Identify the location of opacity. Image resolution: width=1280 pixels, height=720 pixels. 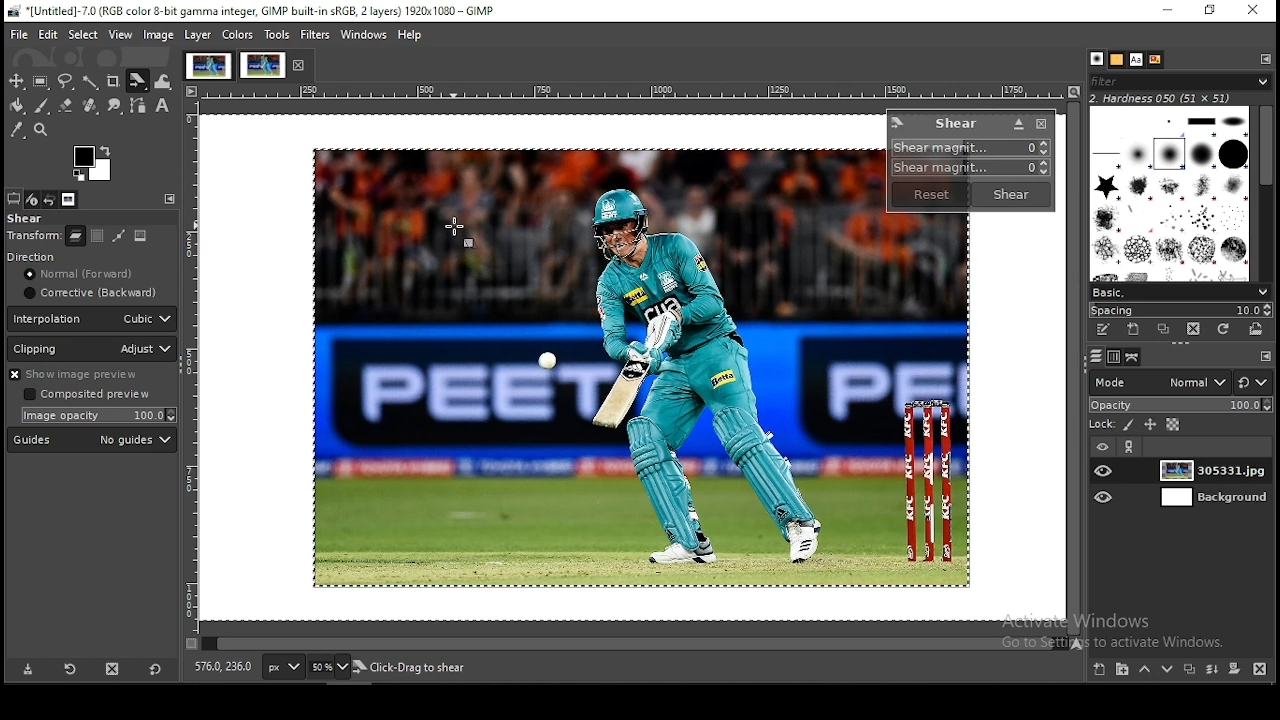
(1181, 405).